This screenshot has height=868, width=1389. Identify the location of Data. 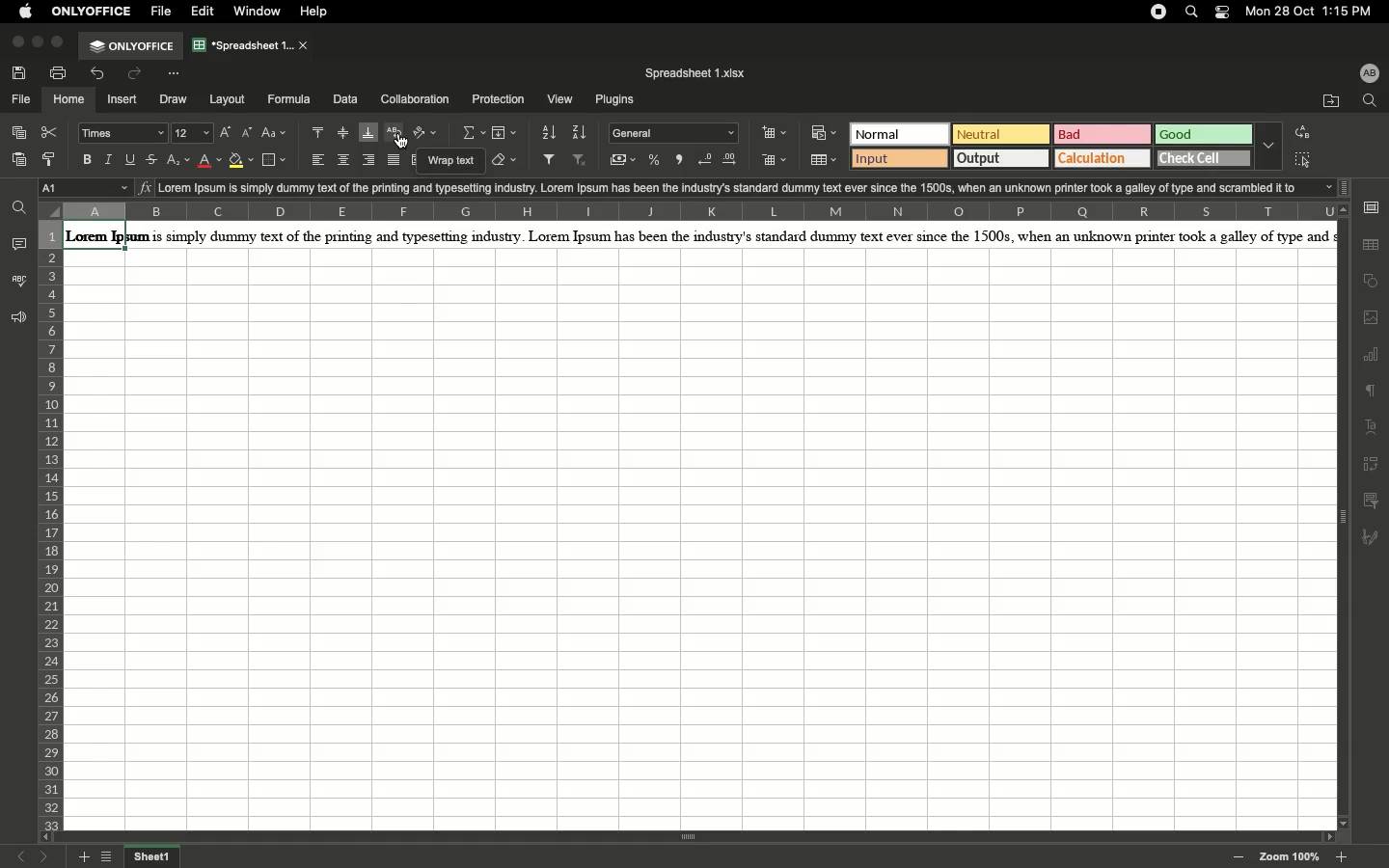
(345, 98).